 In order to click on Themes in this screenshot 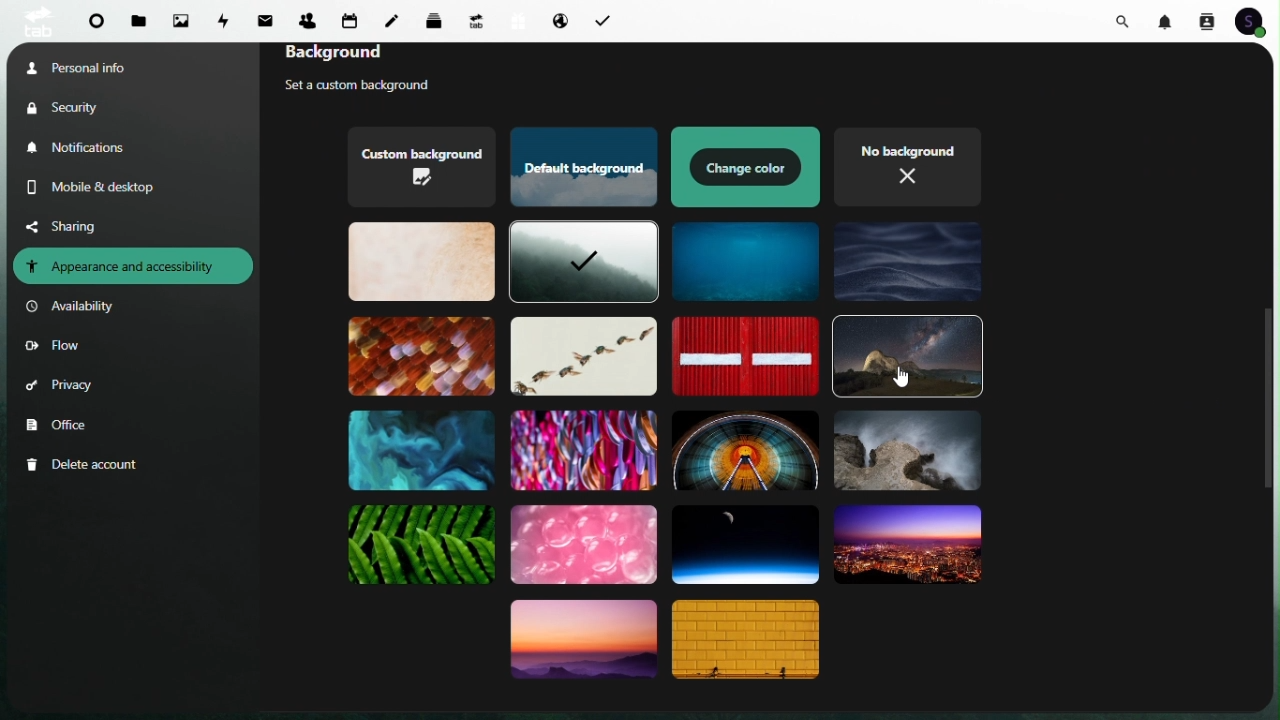, I will do `click(583, 644)`.